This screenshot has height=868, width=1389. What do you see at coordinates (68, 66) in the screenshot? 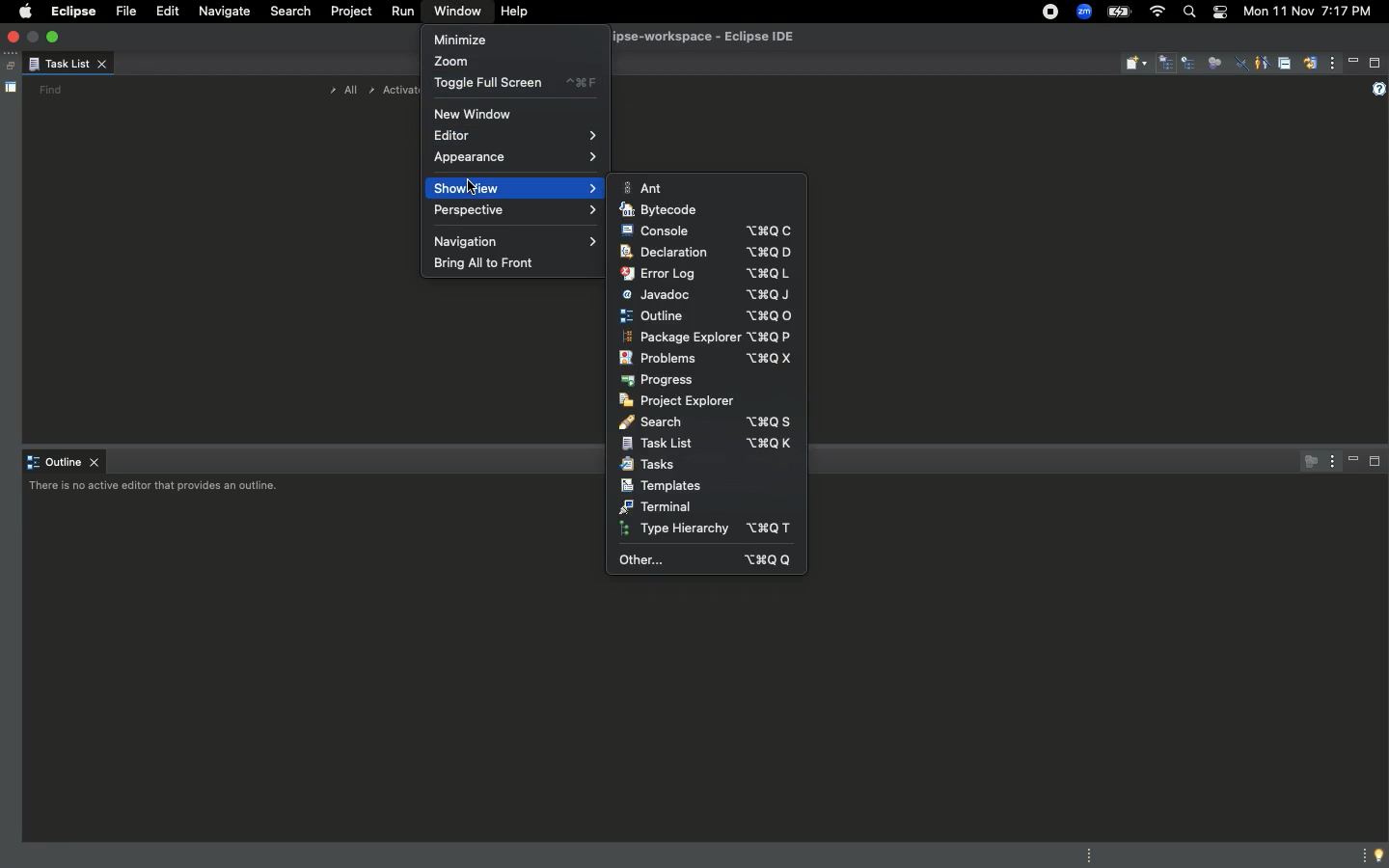
I see `Task list` at bounding box center [68, 66].